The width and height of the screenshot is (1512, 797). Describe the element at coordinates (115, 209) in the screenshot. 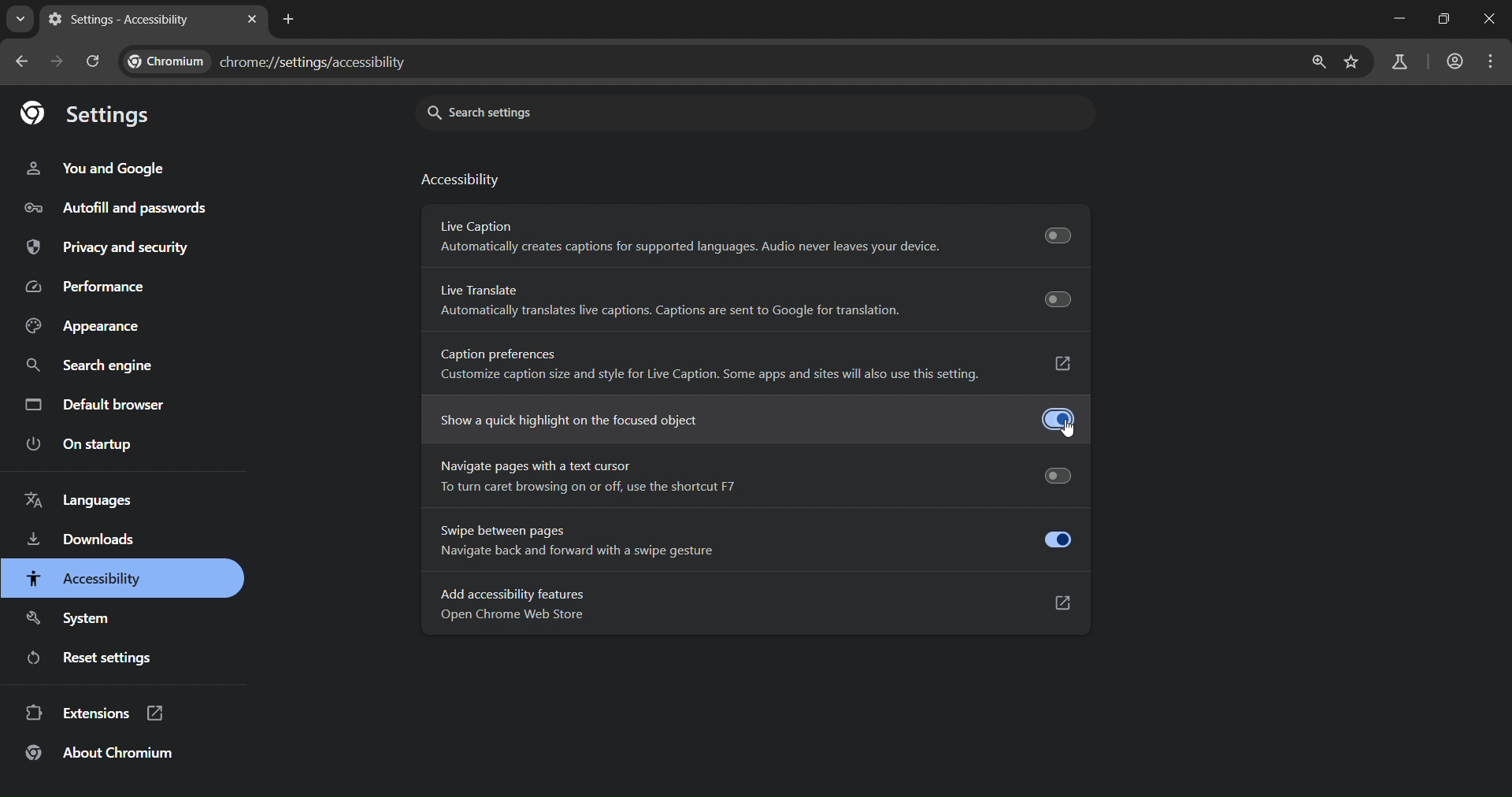

I see `autofill and passwords` at that location.